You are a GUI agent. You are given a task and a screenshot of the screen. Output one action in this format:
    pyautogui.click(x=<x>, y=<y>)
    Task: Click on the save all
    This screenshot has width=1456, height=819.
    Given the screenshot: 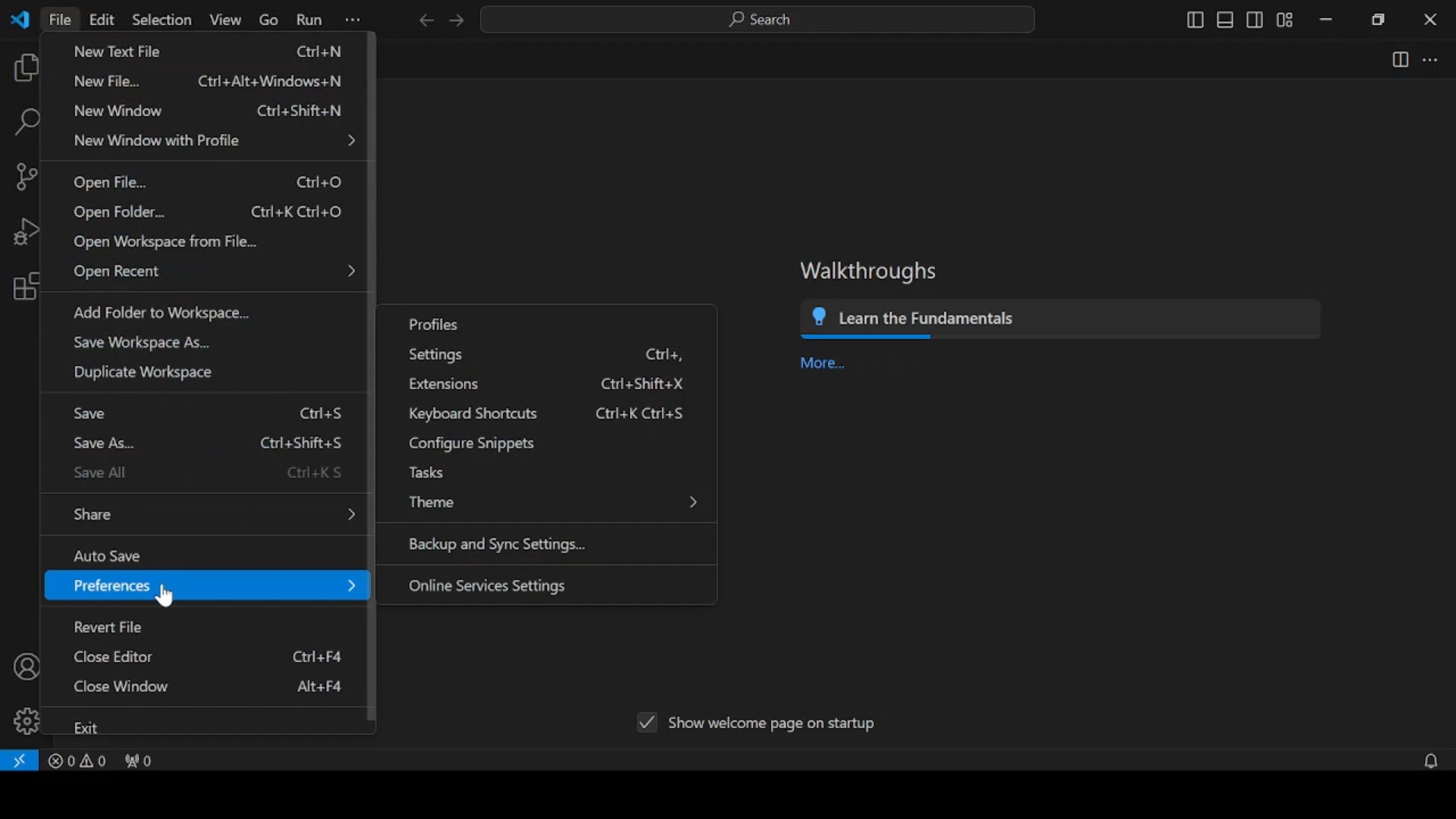 What is the action you would take?
    pyautogui.click(x=101, y=472)
    